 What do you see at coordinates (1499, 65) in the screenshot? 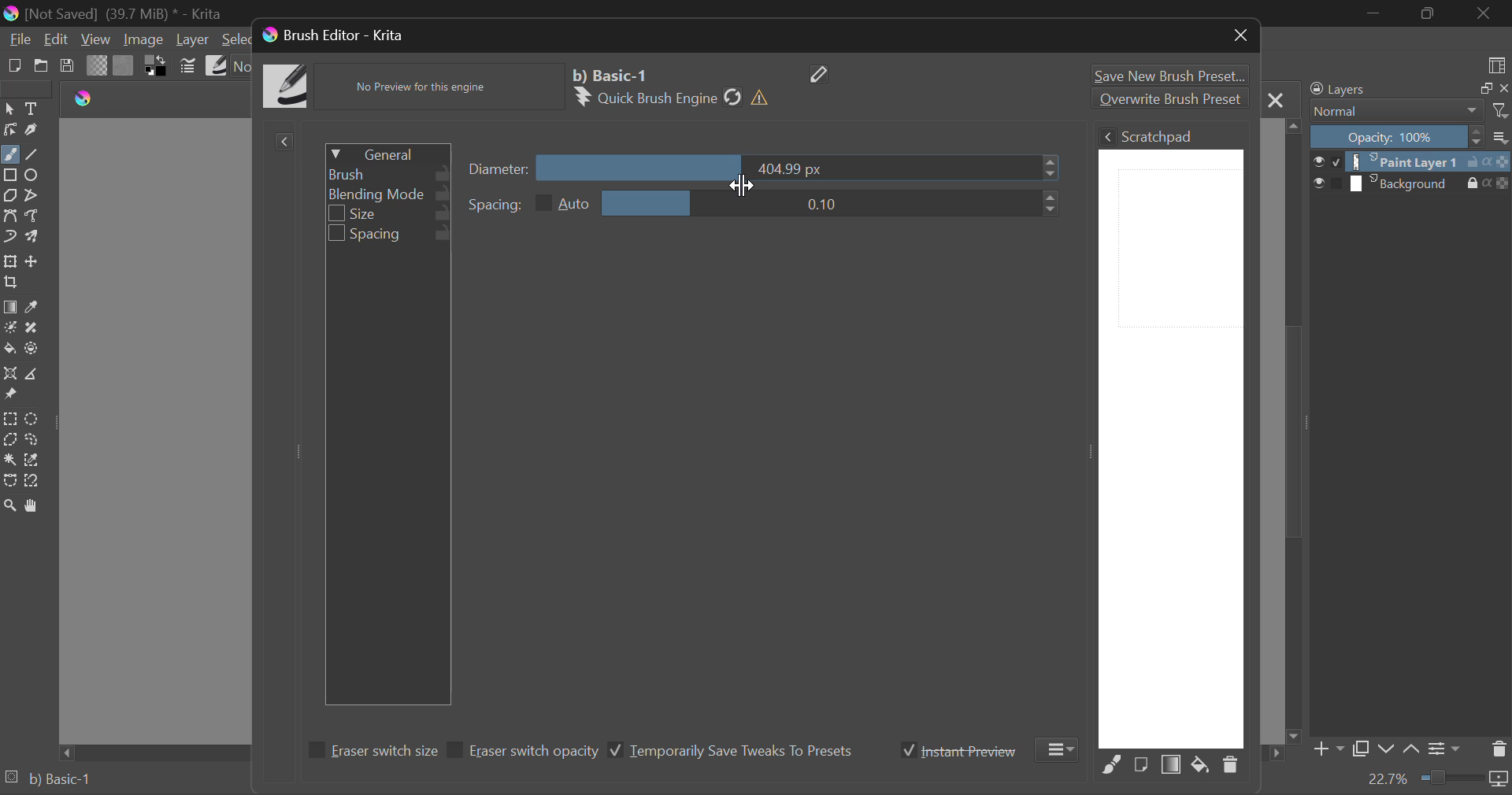
I see `Choose Workspace` at bounding box center [1499, 65].